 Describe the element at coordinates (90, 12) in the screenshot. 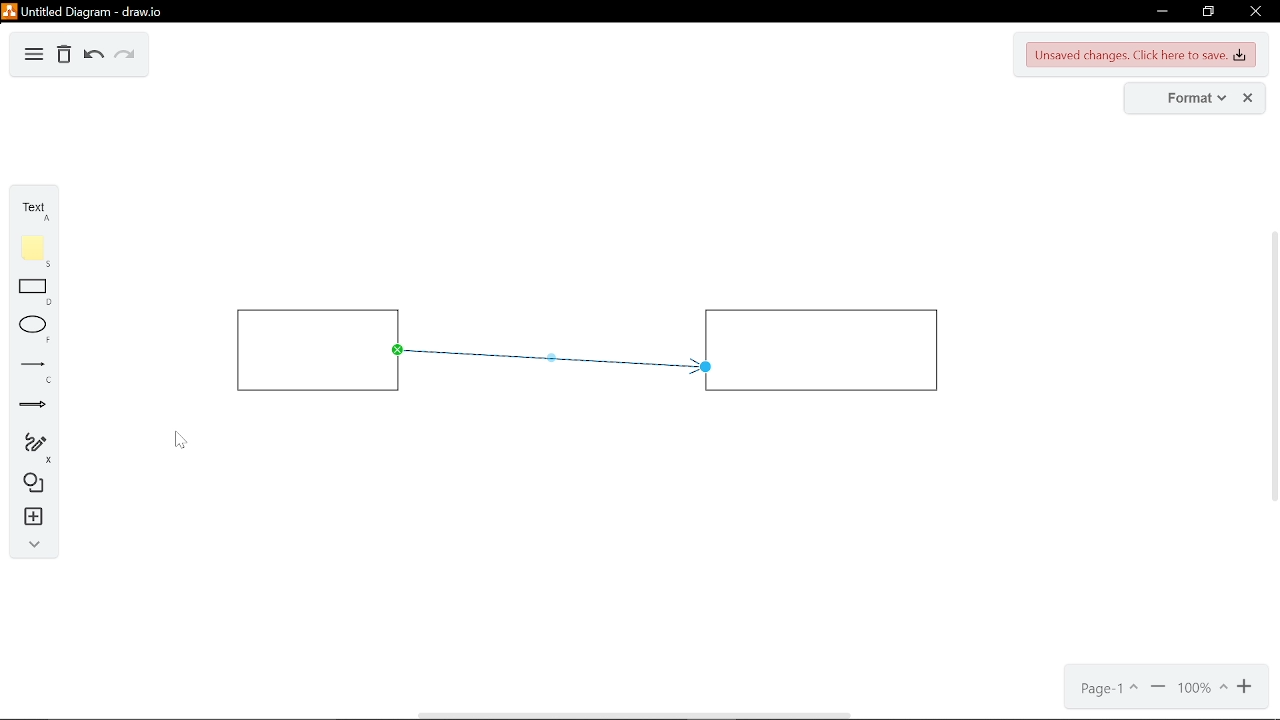

I see `untitled document - draw.io` at that location.